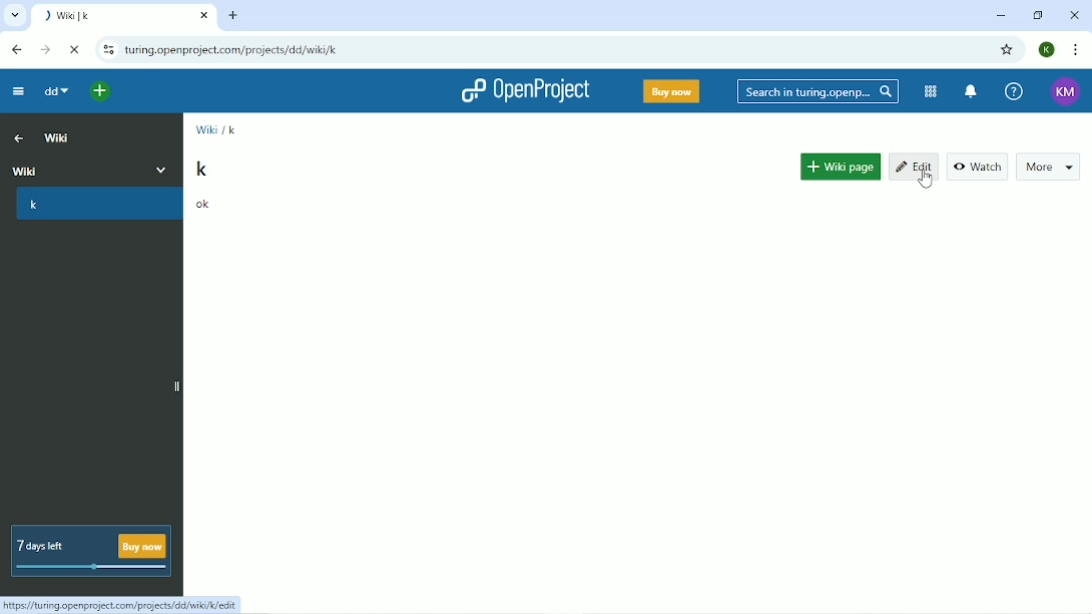 The image size is (1092, 614). What do you see at coordinates (1065, 91) in the screenshot?
I see `Account` at bounding box center [1065, 91].